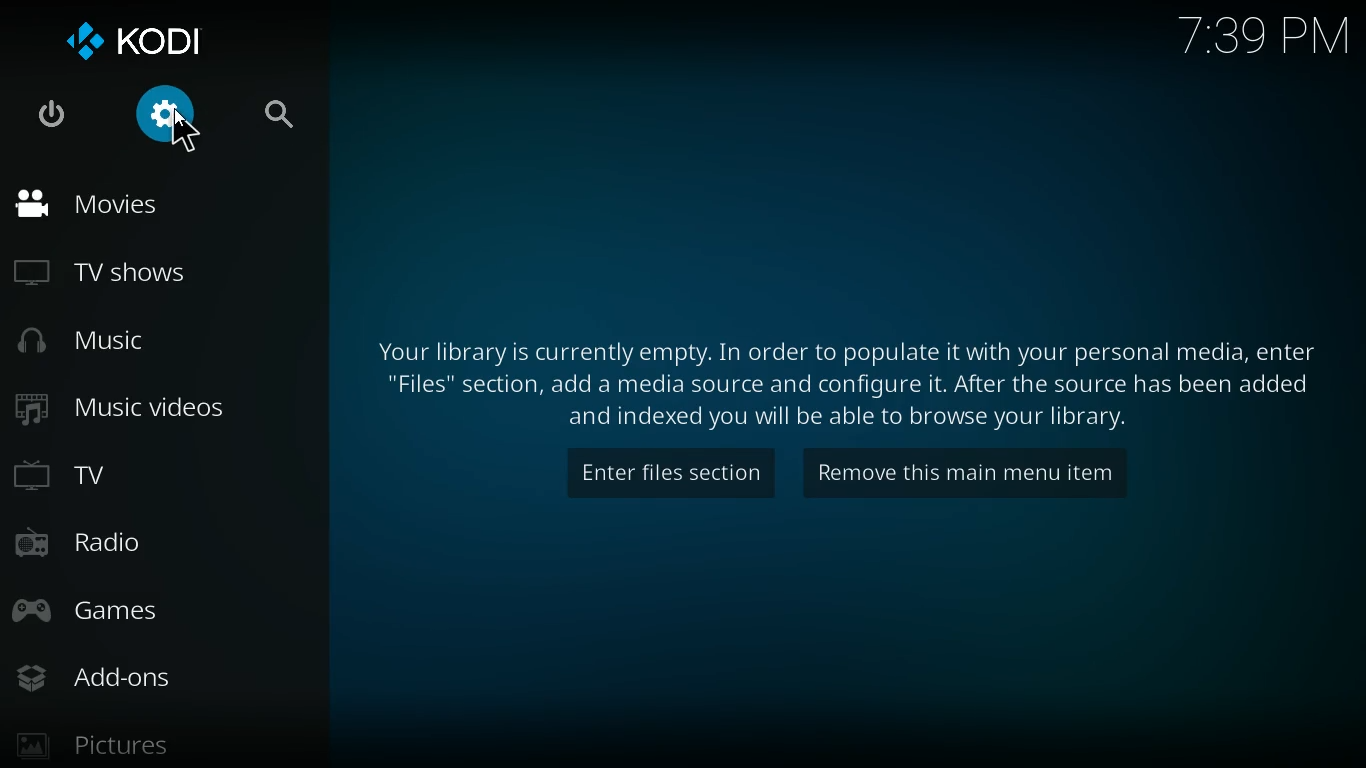  I want to click on music, so click(111, 344).